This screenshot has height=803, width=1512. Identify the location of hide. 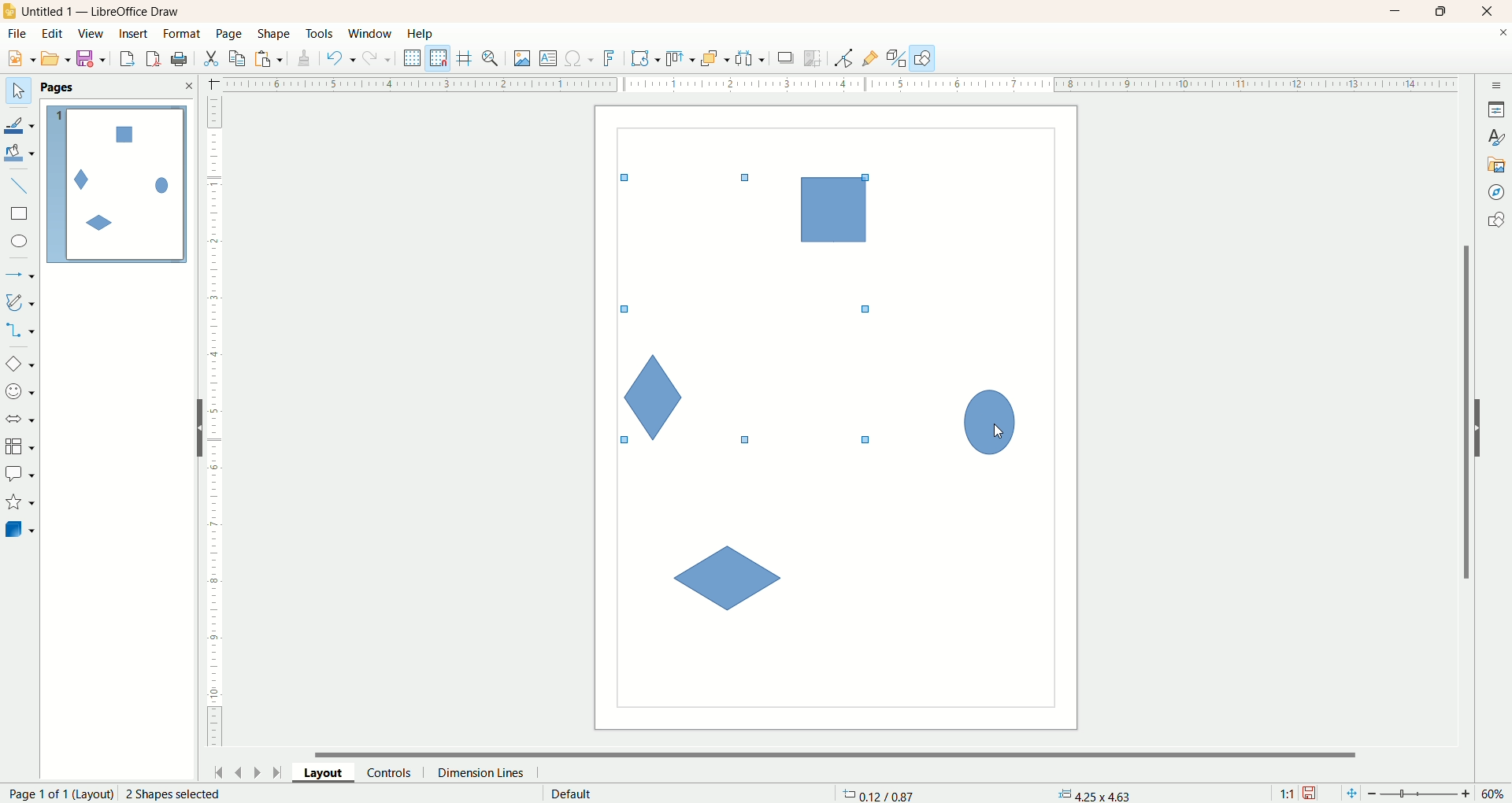
(193, 431).